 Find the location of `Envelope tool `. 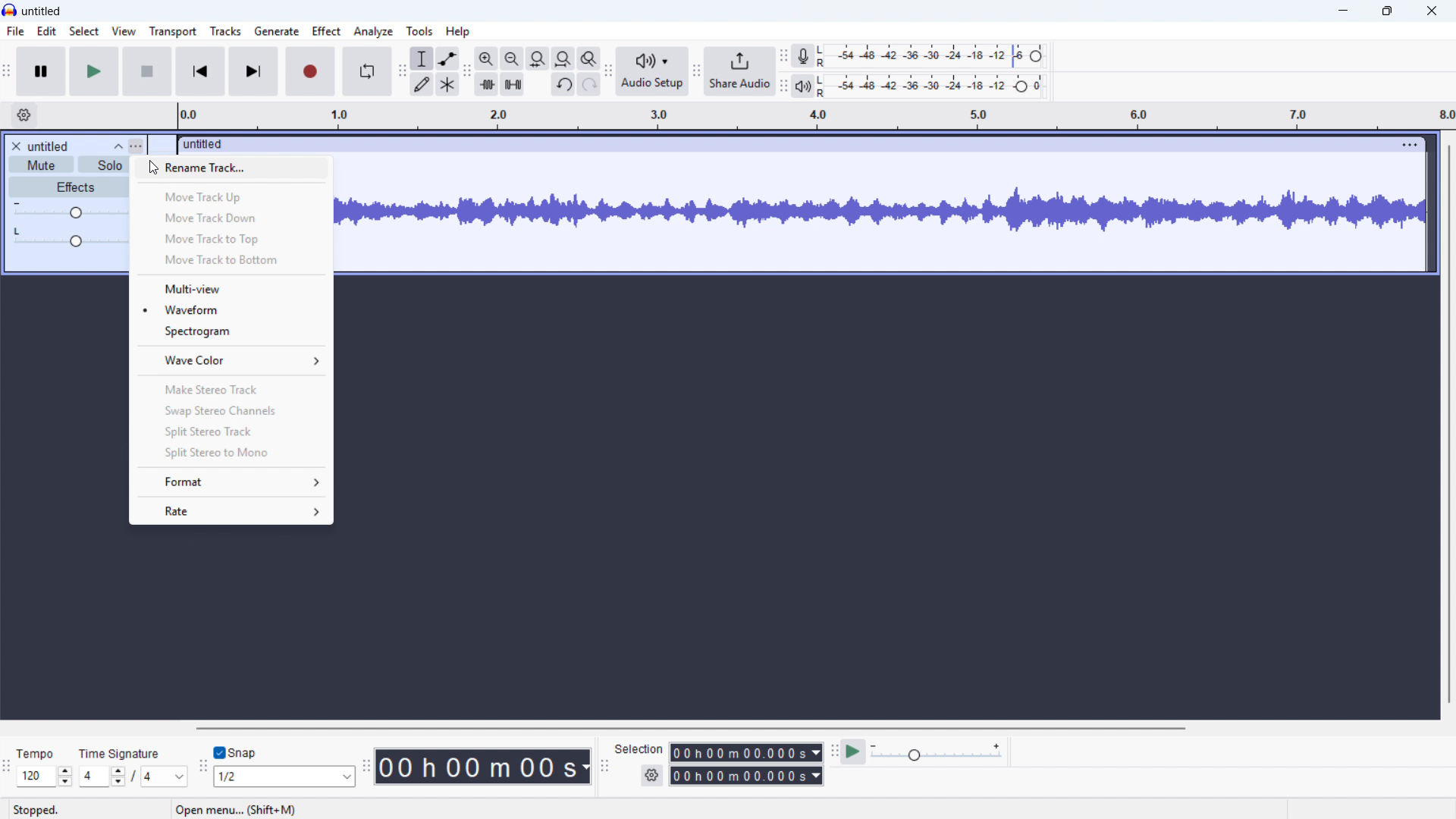

Envelope tool  is located at coordinates (447, 58).